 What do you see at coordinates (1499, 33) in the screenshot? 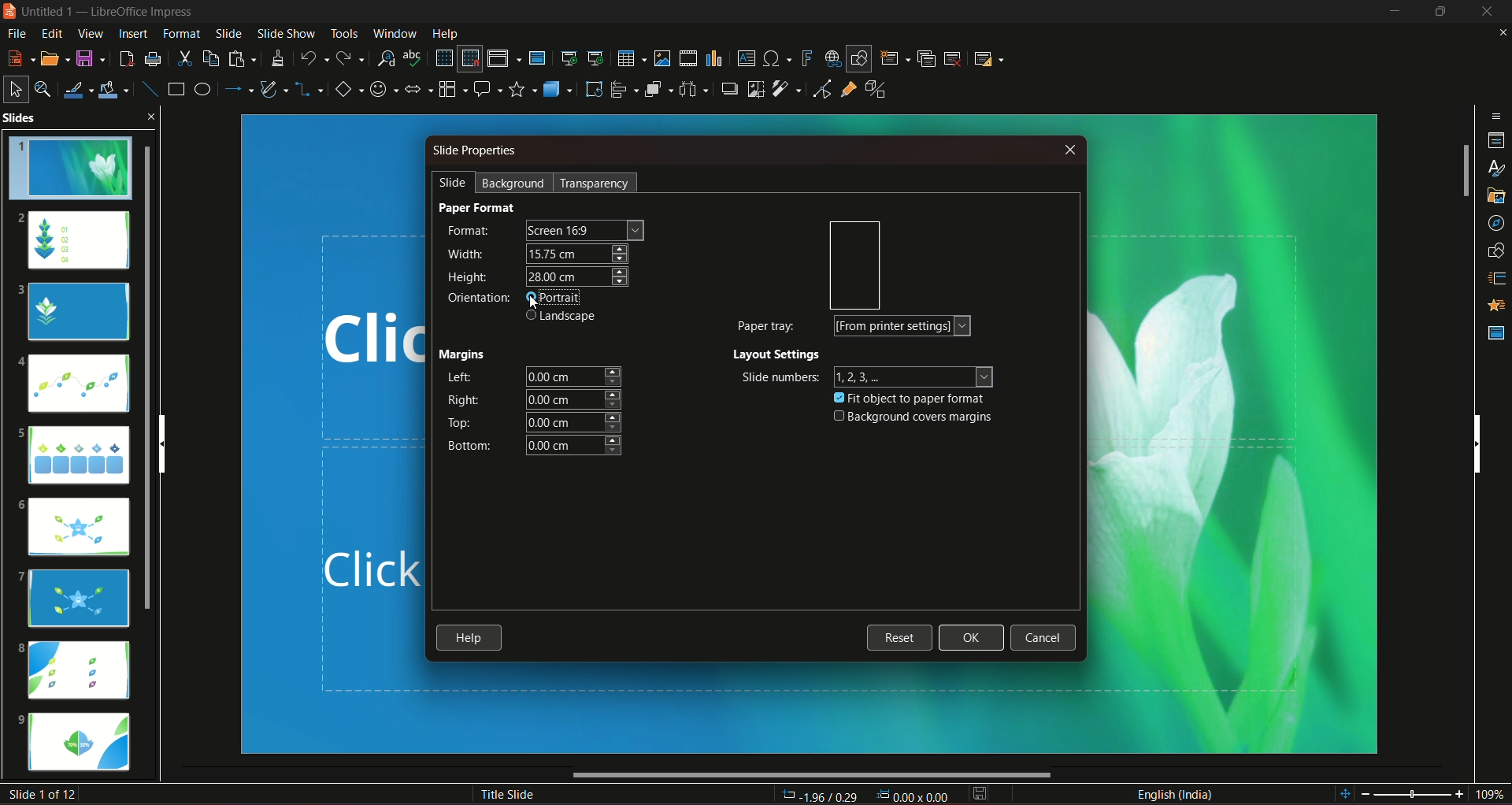
I see `close` at bounding box center [1499, 33].